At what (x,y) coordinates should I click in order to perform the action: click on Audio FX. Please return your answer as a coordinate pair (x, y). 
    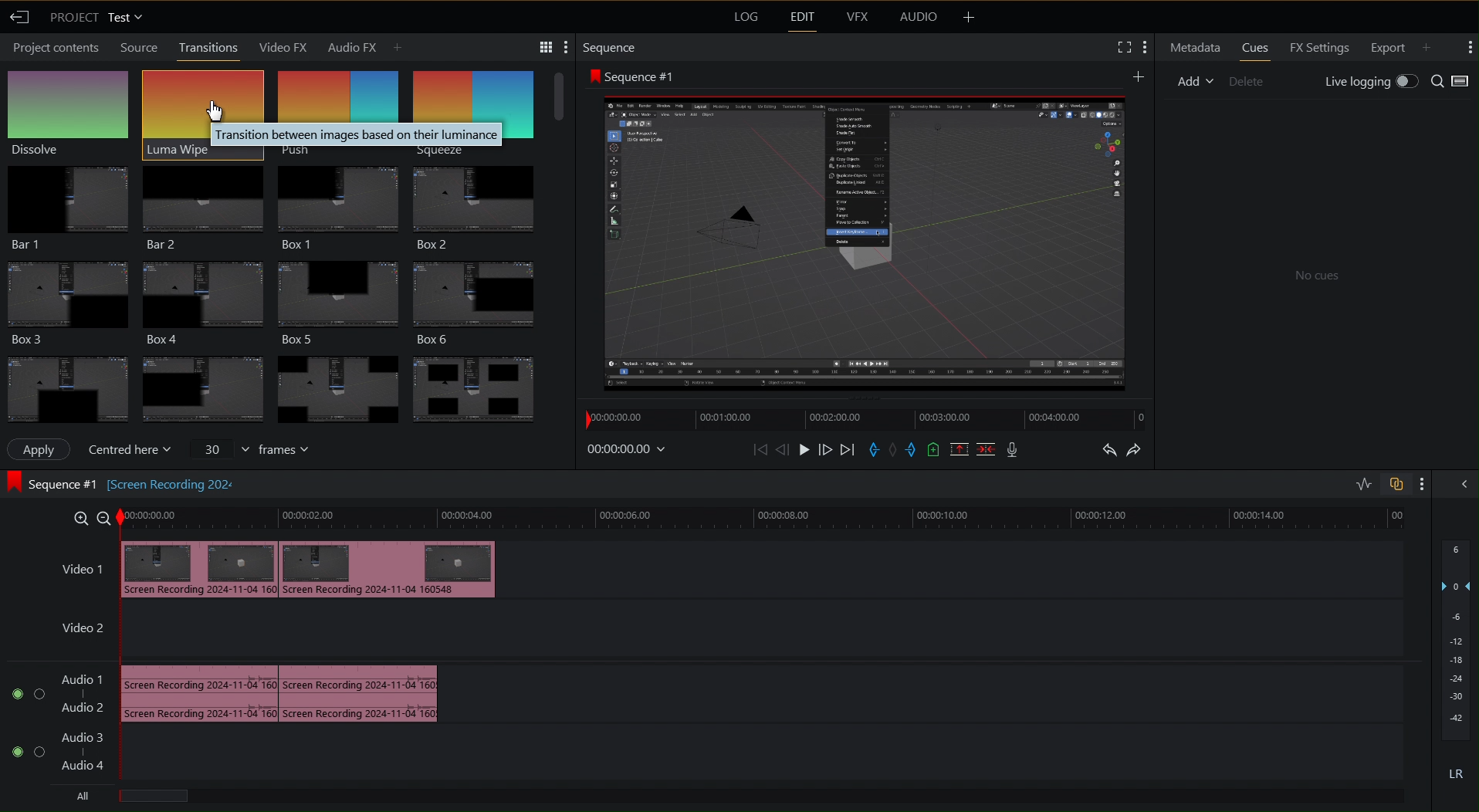
    Looking at the image, I should click on (364, 46).